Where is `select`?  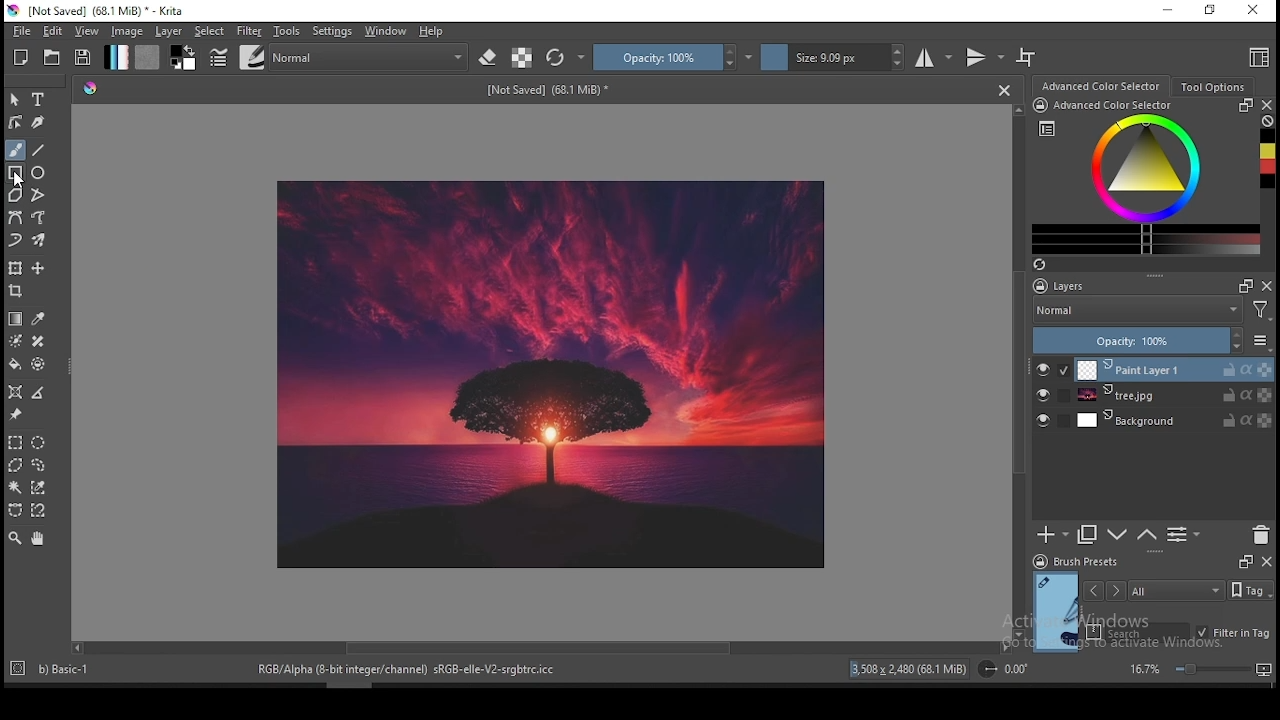
select is located at coordinates (211, 31).